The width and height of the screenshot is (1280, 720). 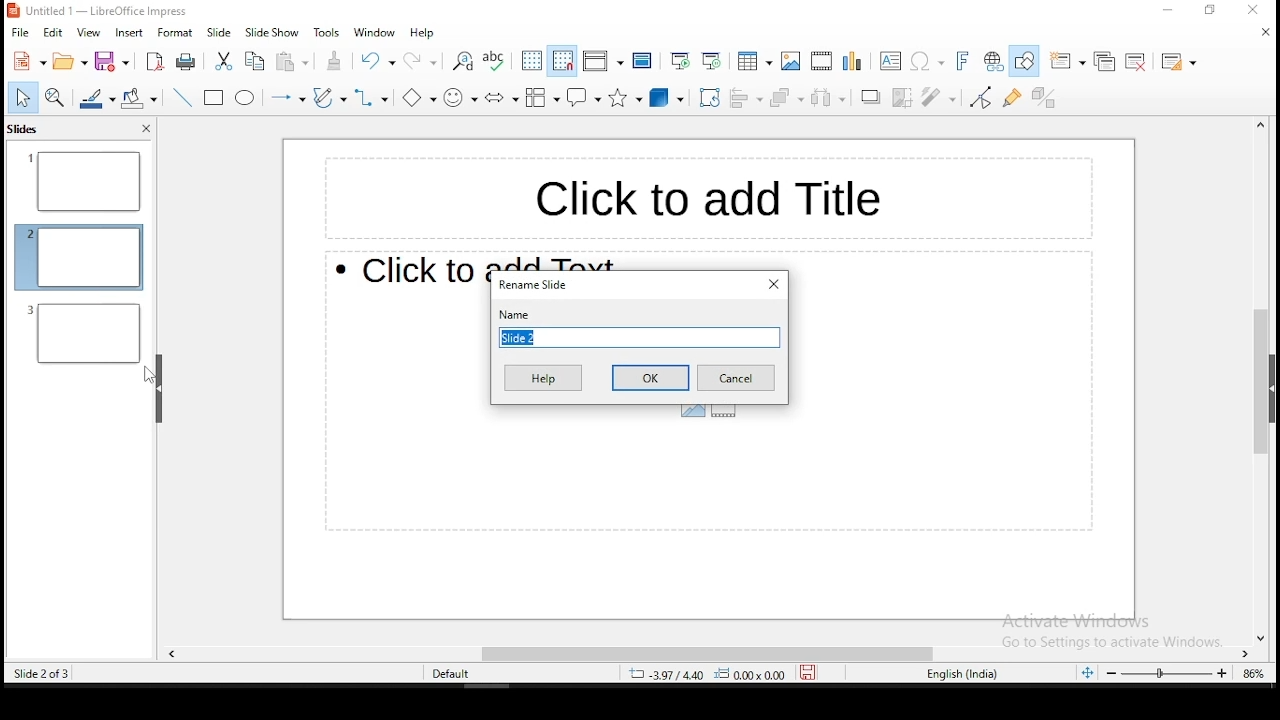 I want to click on window, so click(x=375, y=32).